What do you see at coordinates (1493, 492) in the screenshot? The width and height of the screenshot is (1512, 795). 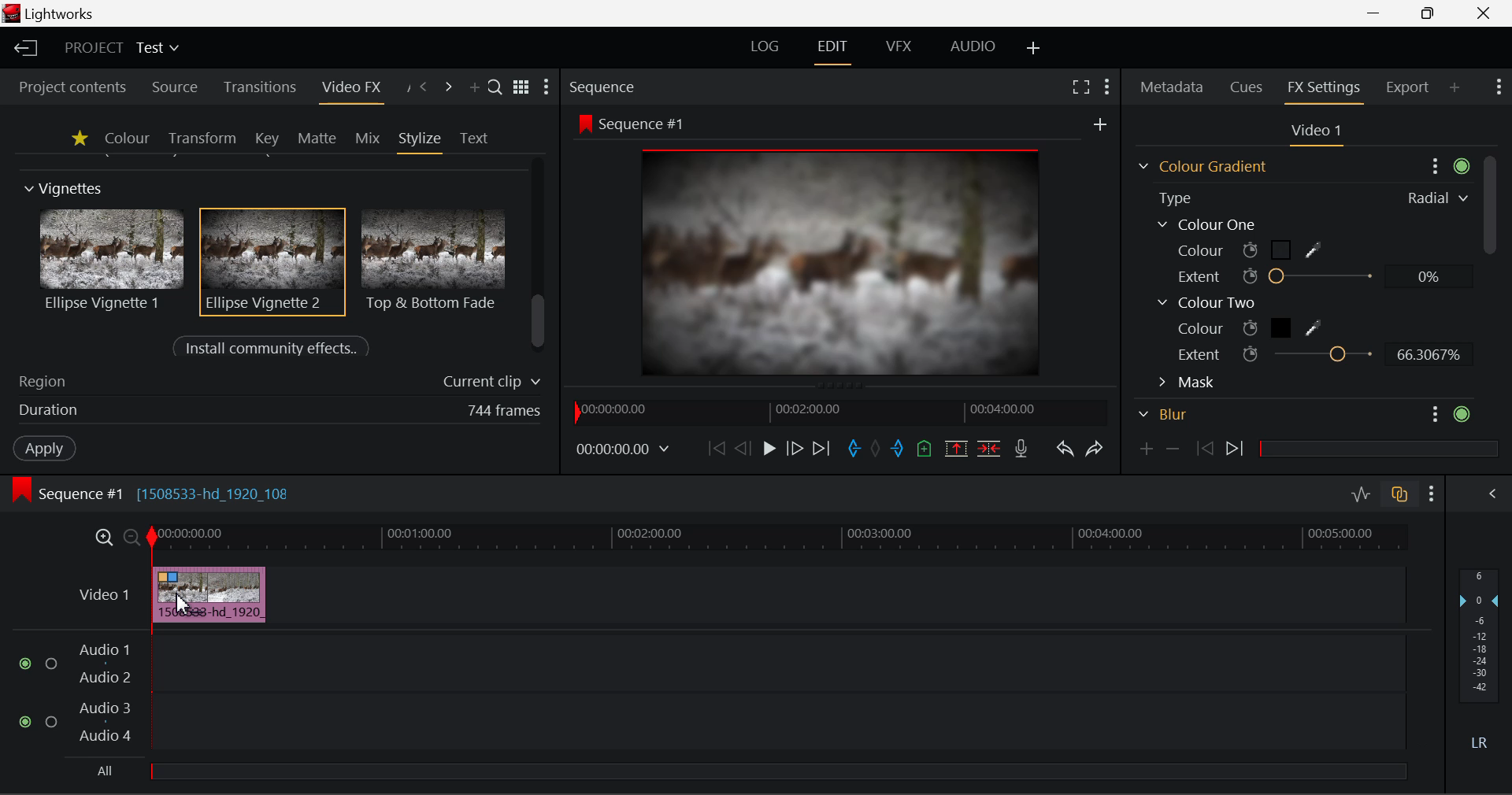 I see `View Audio Mix` at bounding box center [1493, 492].